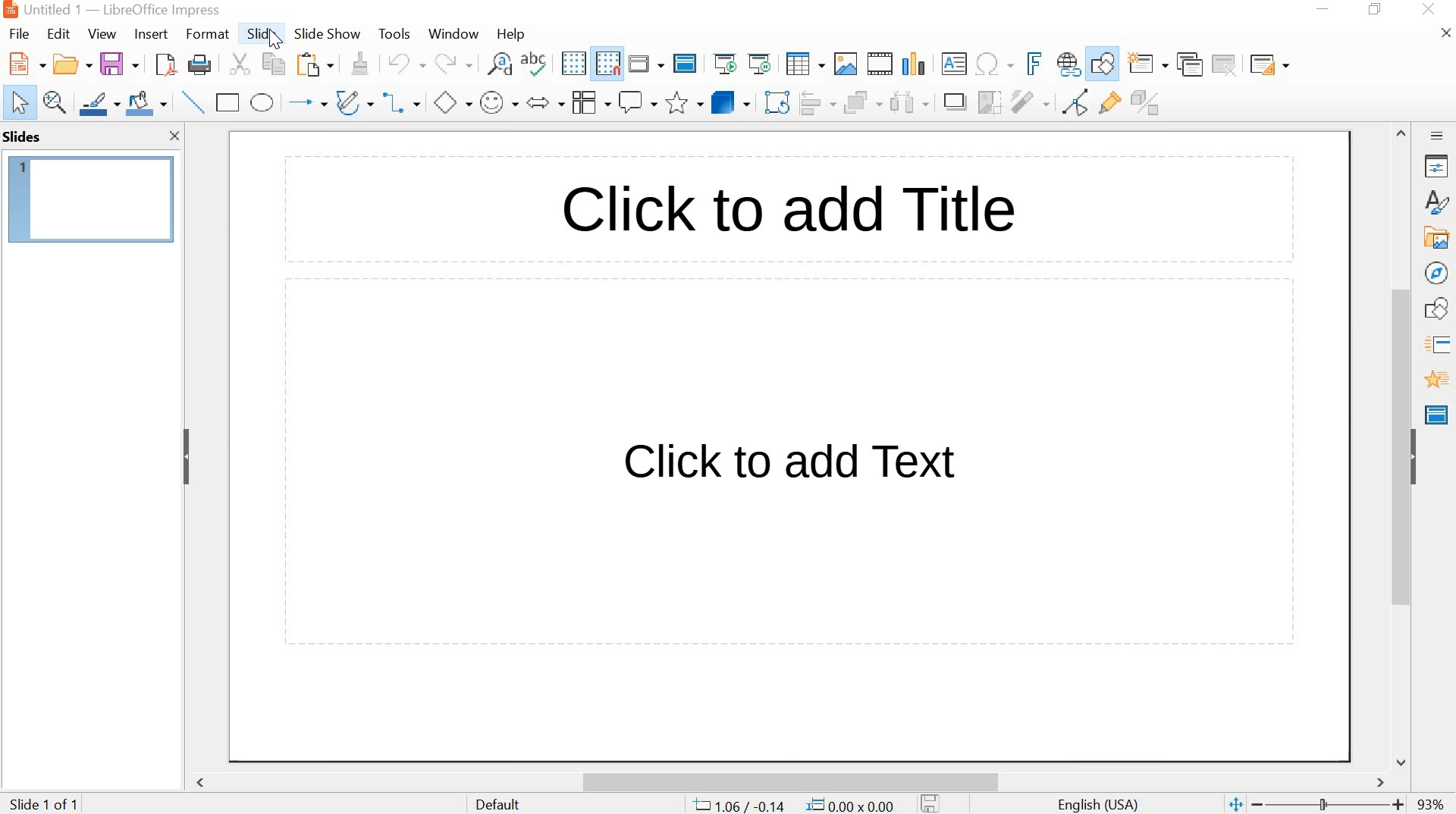 This screenshot has height=814, width=1456. What do you see at coordinates (15, 103) in the screenshot?
I see `Select` at bounding box center [15, 103].